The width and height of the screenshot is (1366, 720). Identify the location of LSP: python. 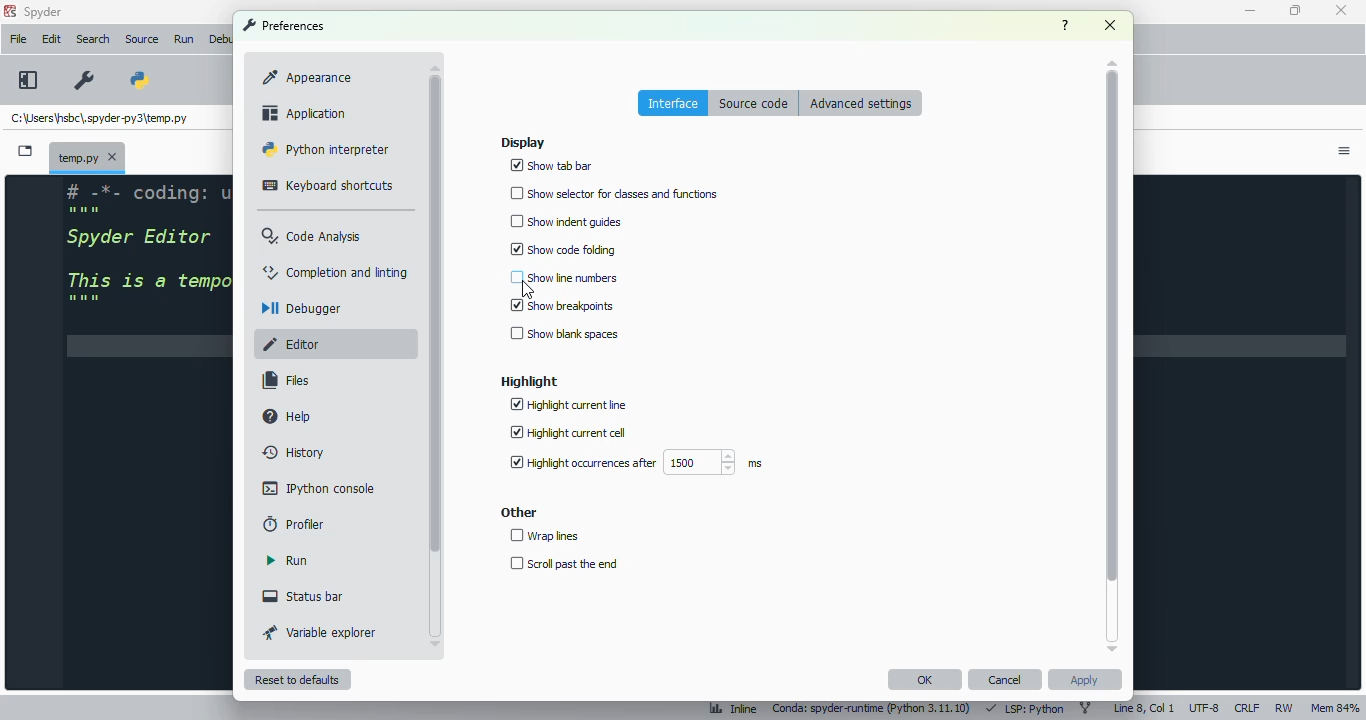
(1026, 708).